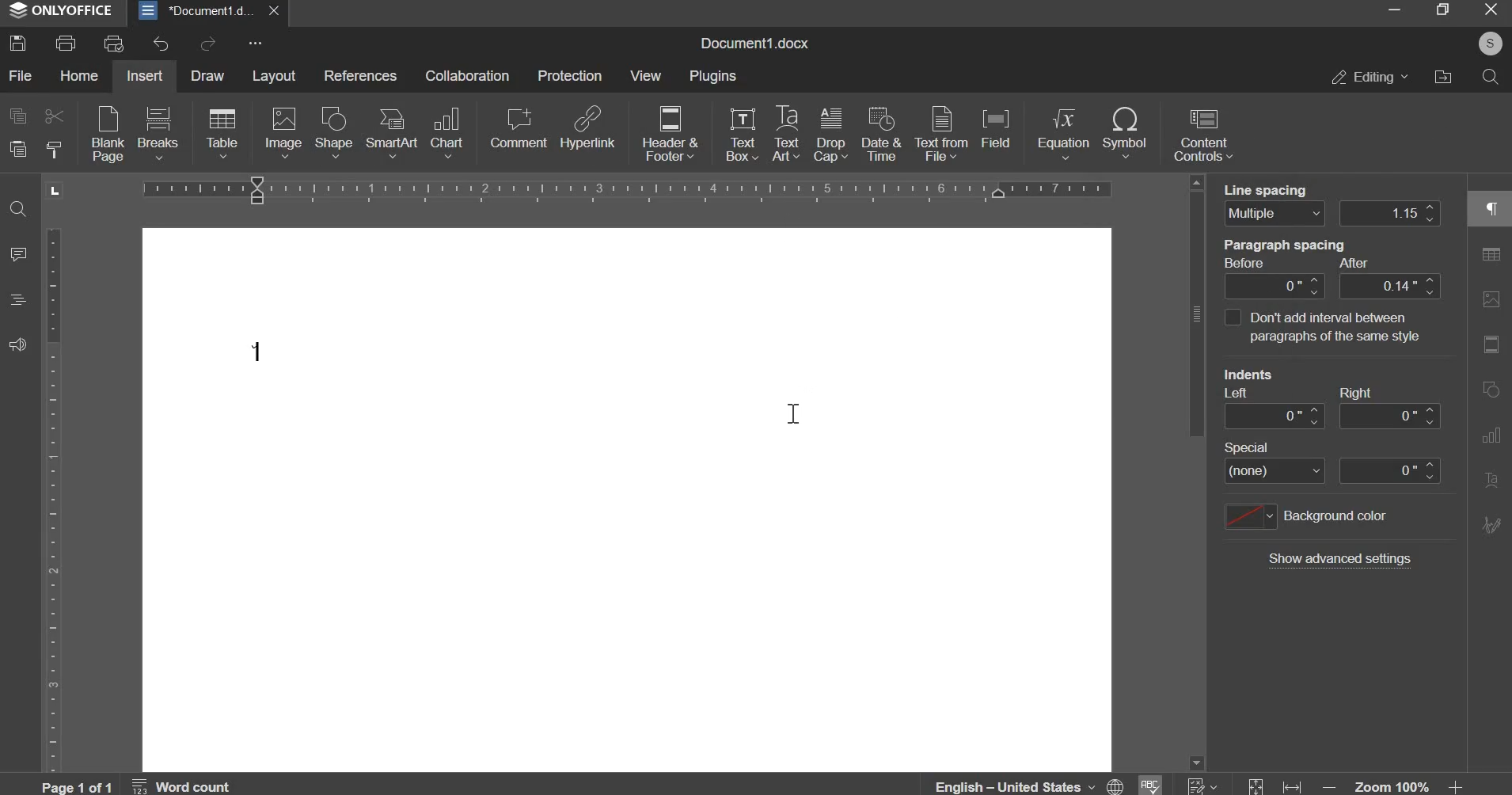 The image size is (1512, 795). What do you see at coordinates (79, 786) in the screenshot?
I see `page 1 of 1` at bounding box center [79, 786].